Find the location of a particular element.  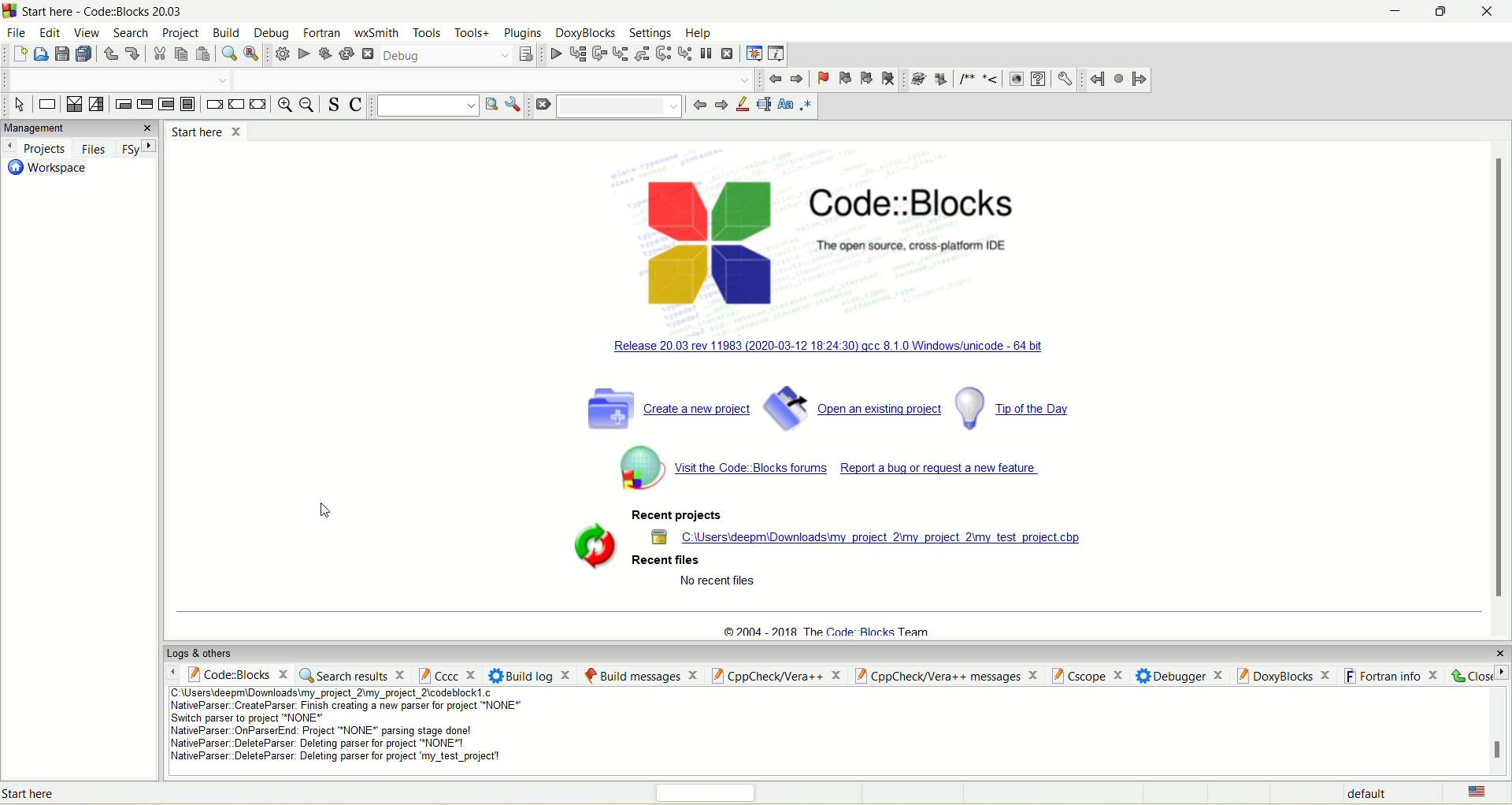

debug is located at coordinates (446, 54).